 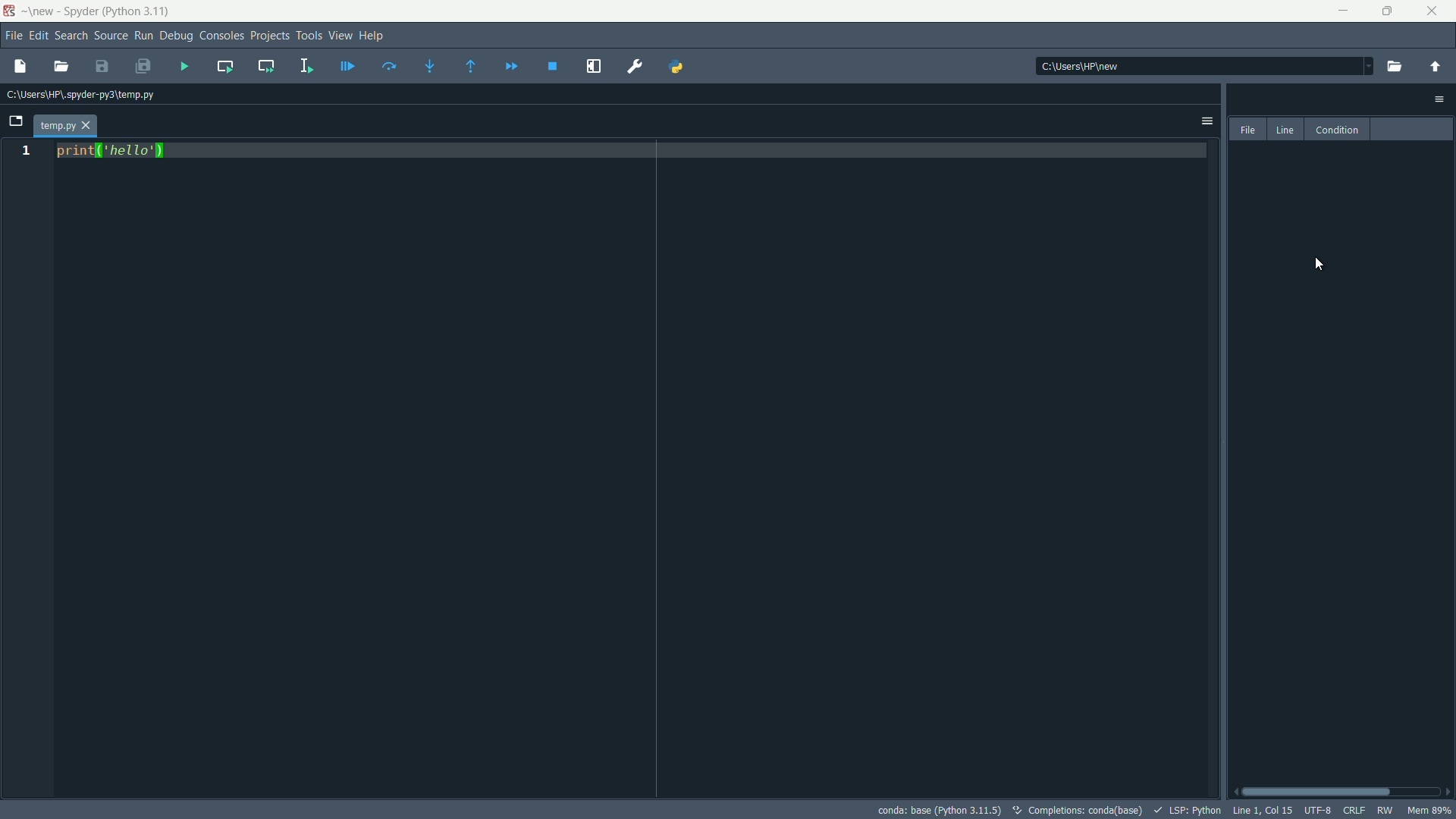 What do you see at coordinates (1207, 121) in the screenshot?
I see `options` at bounding box center [1207, 121].